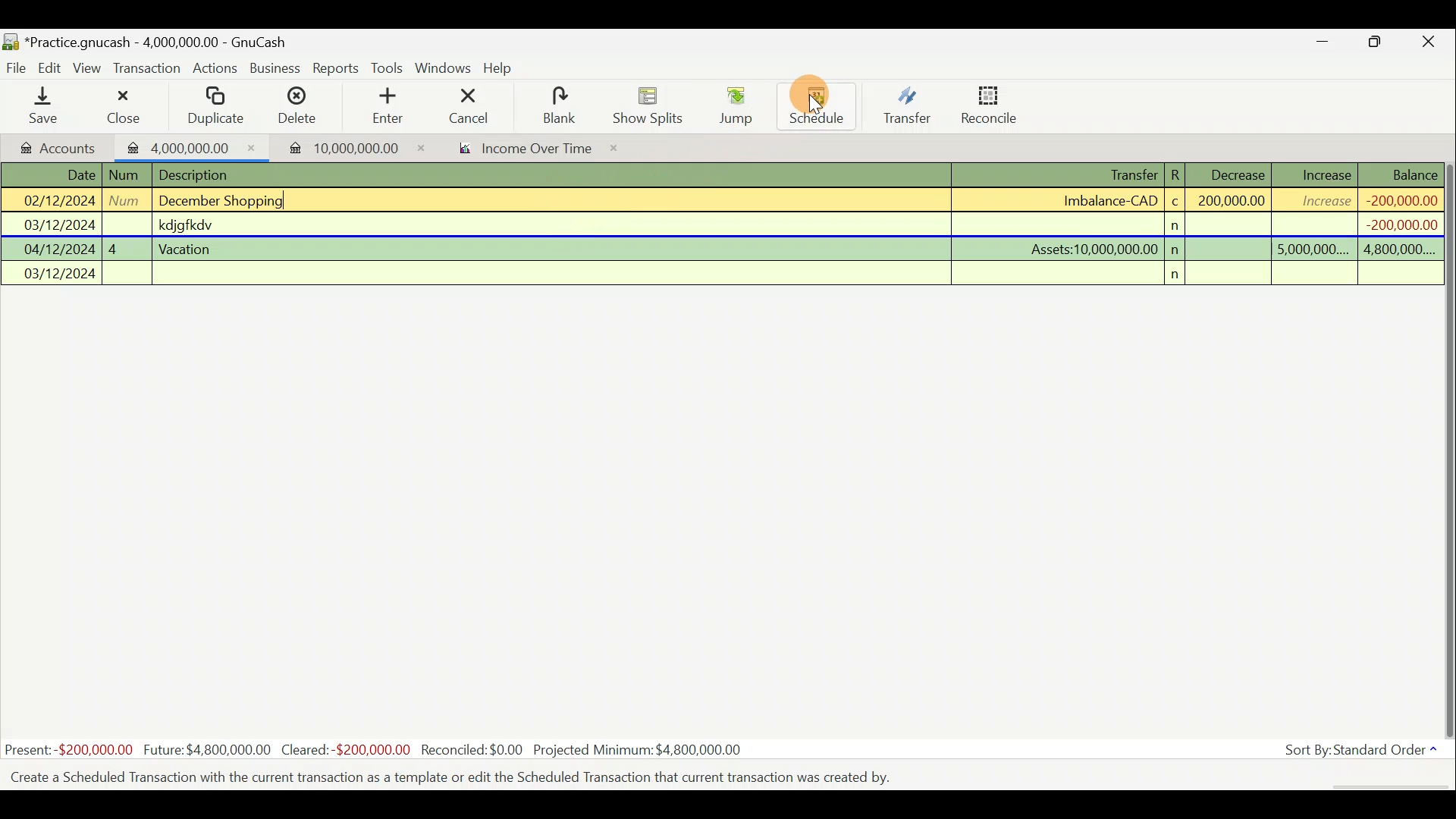  I want to click on Transfer, so click(907, 105).